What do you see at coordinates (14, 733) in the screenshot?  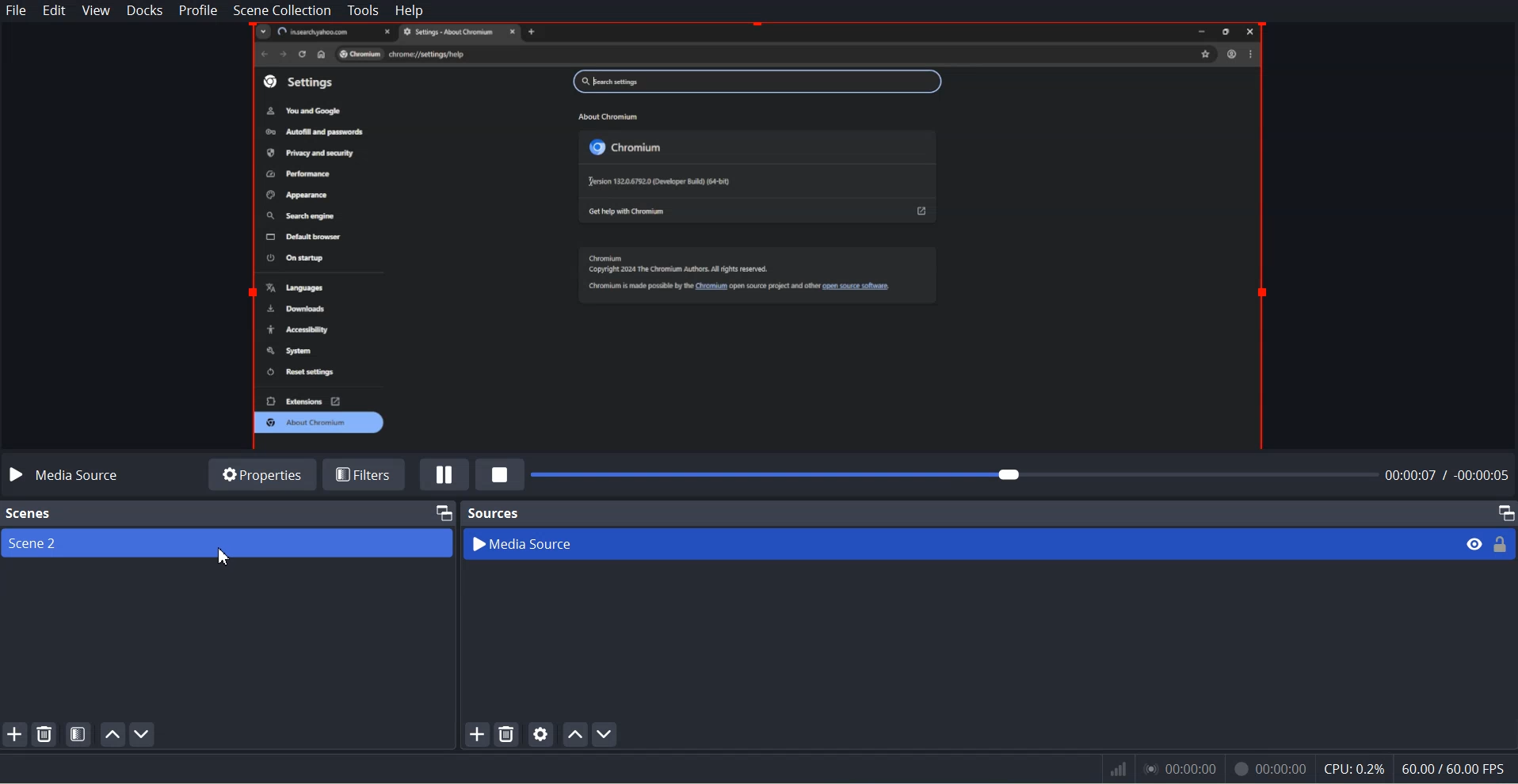 I see `Add SCENE` at bounding box center [14, 733].